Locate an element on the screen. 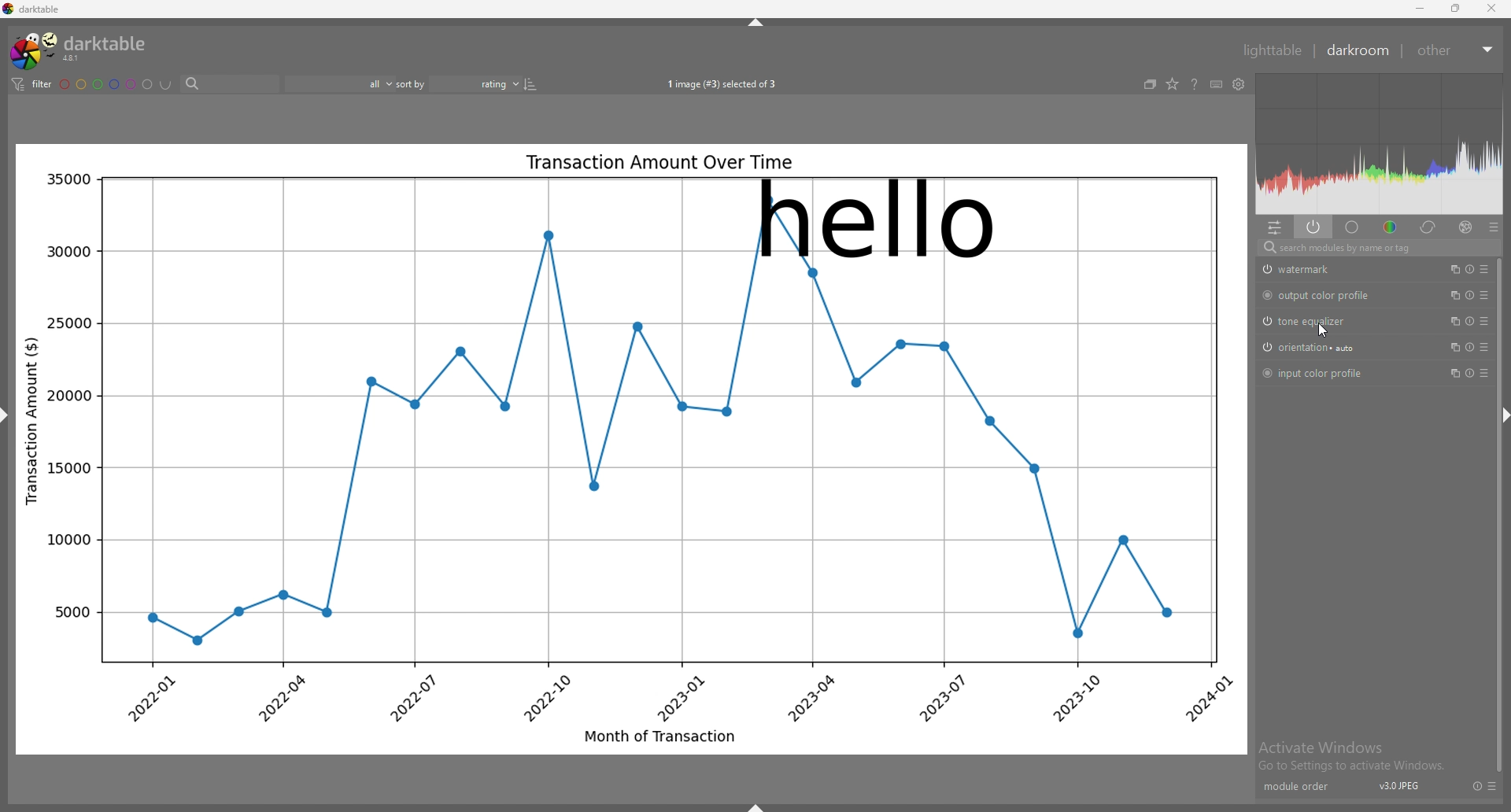 The height and width of the screenshot is (812, 1511). heat map is located at coordinates (1380, 143).